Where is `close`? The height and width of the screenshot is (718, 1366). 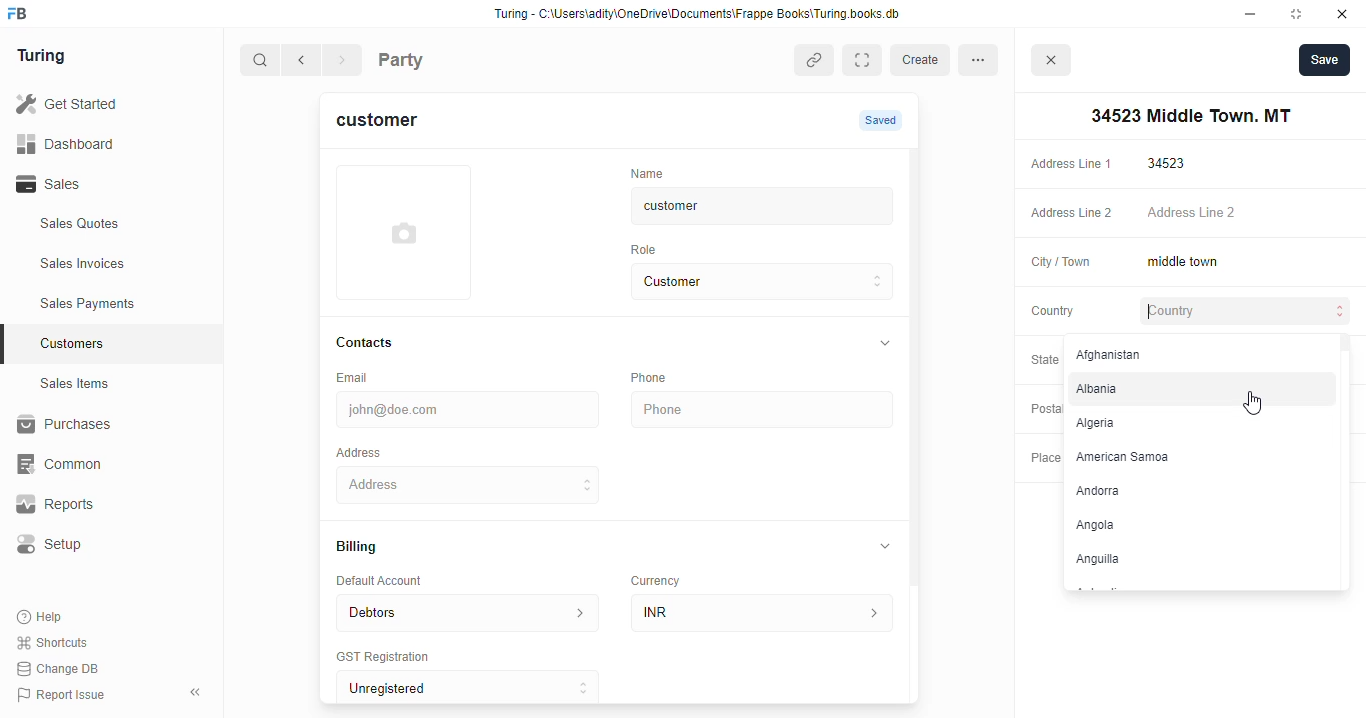 close is located at coordinates (1345, 14).